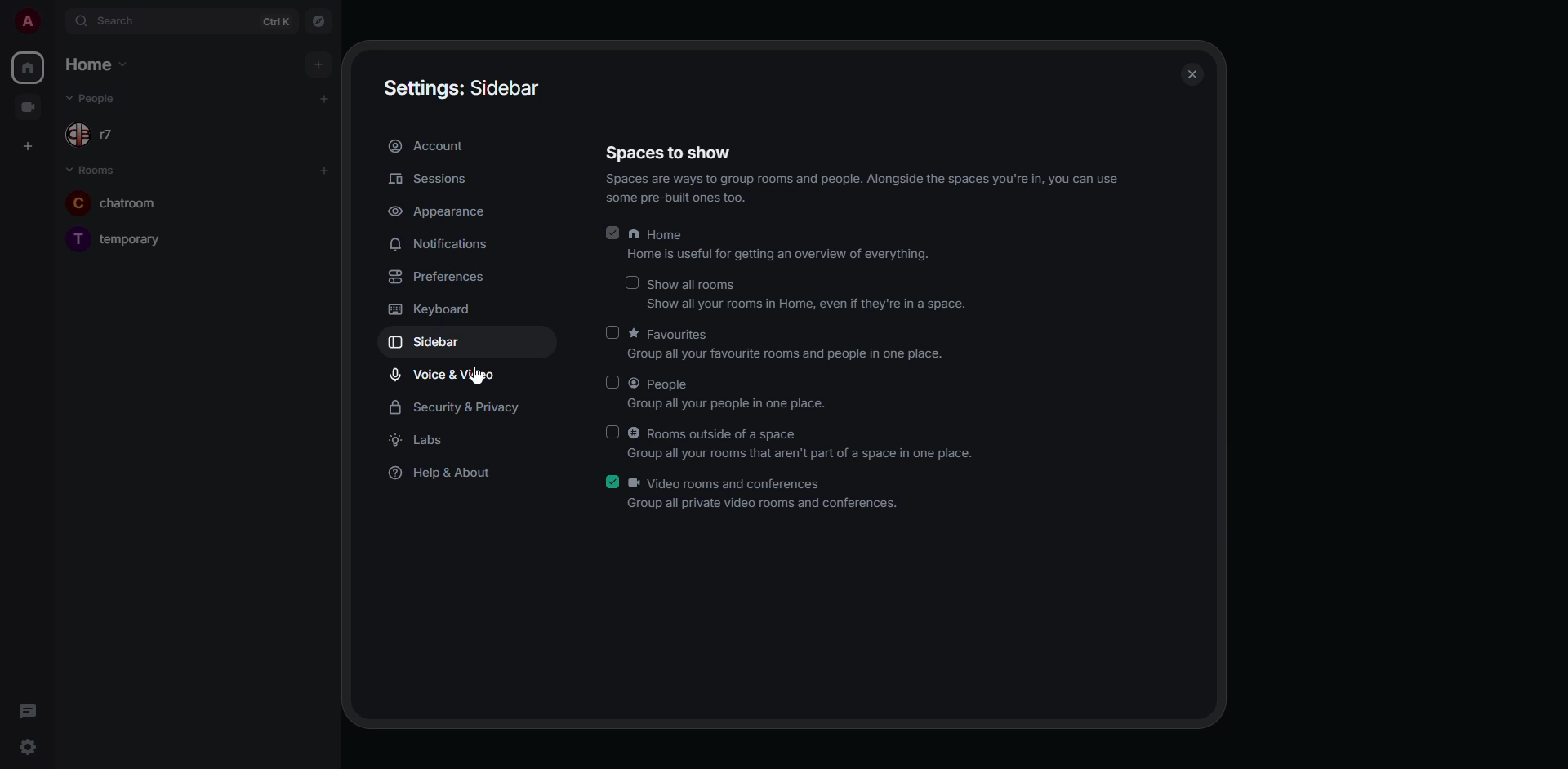 This screenshot has height=769, width=1568. What do you see at coordinates (441, 473) in the screenshot?
I see `help & about` at bounding box center [441, 473].